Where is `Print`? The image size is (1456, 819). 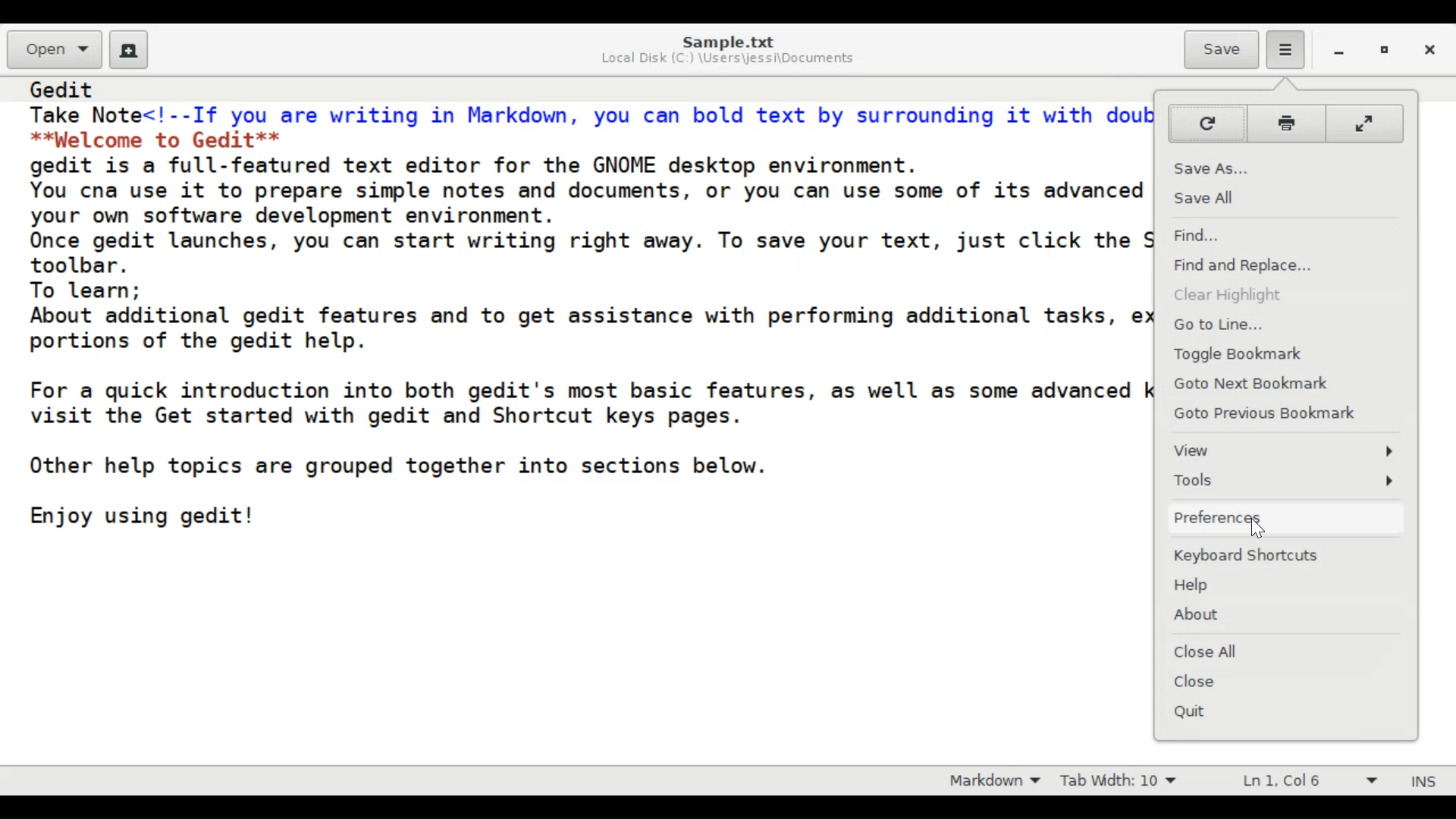 Print is located at coordinates (1285, 124).